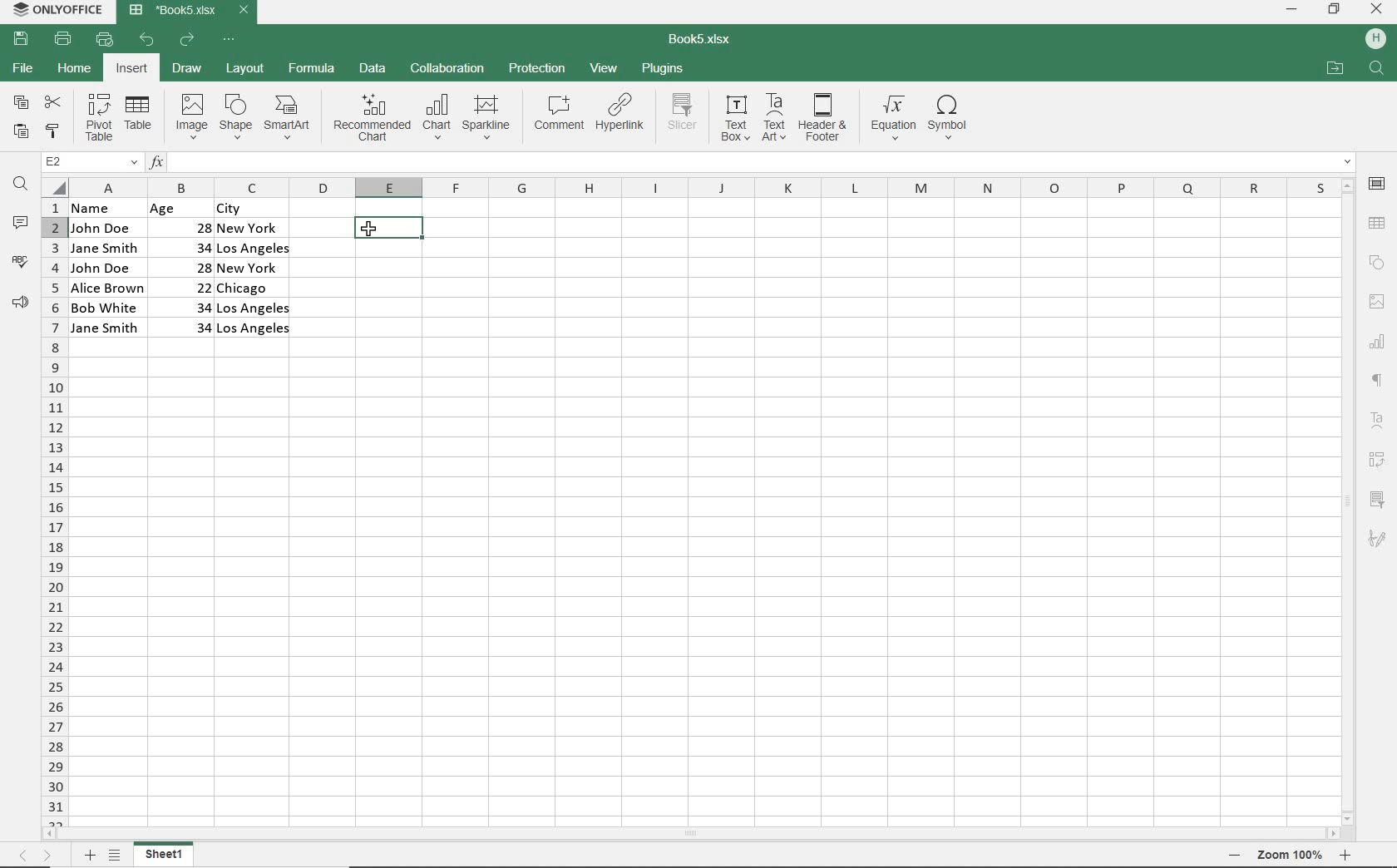 This screenshot has width=1397, height=868. Describe the element at coordinates (254, 209) in the screenshot. I see `CITY` at that location.